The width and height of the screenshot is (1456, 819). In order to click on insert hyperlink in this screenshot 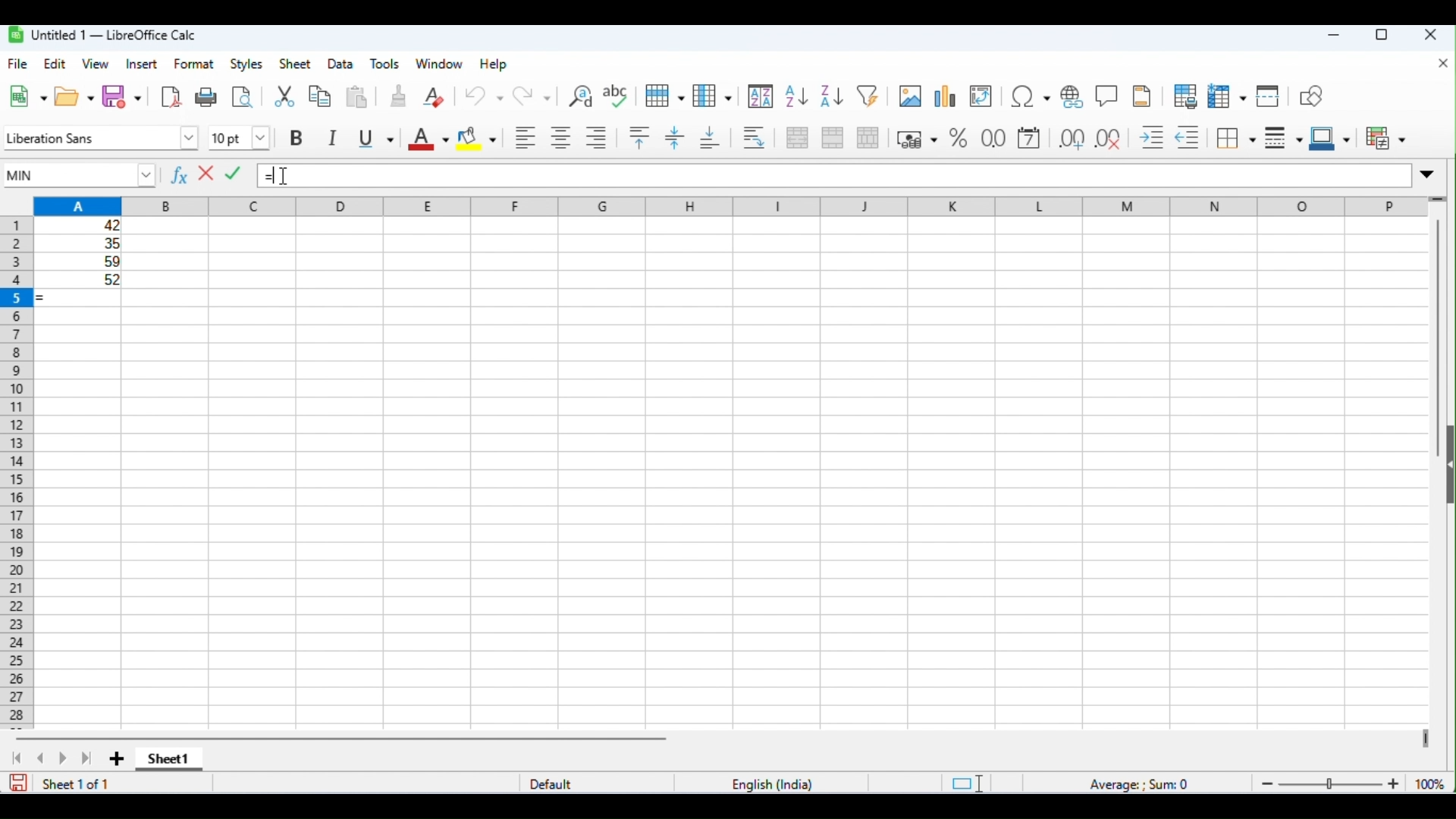, I will do `click(1072, 96)`.